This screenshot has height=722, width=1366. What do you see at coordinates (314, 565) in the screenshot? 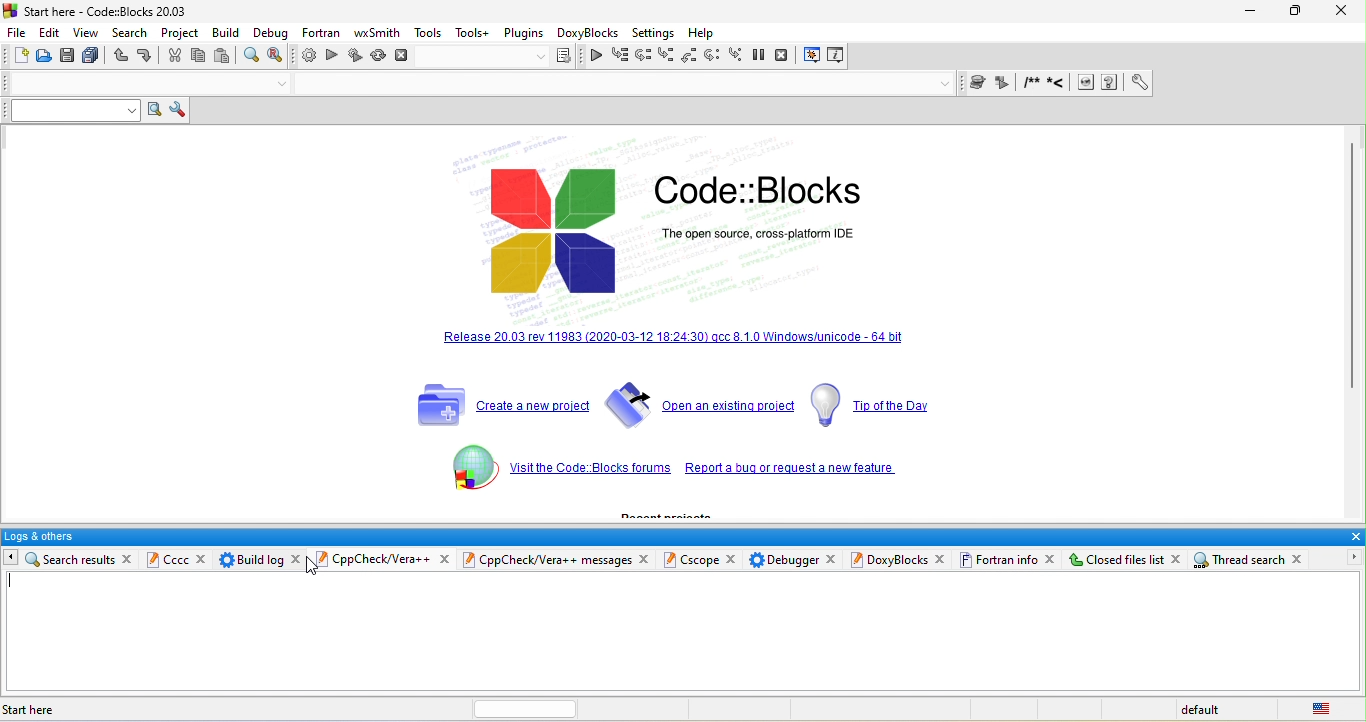
I see `cursor` at bounding box center [314, 565].